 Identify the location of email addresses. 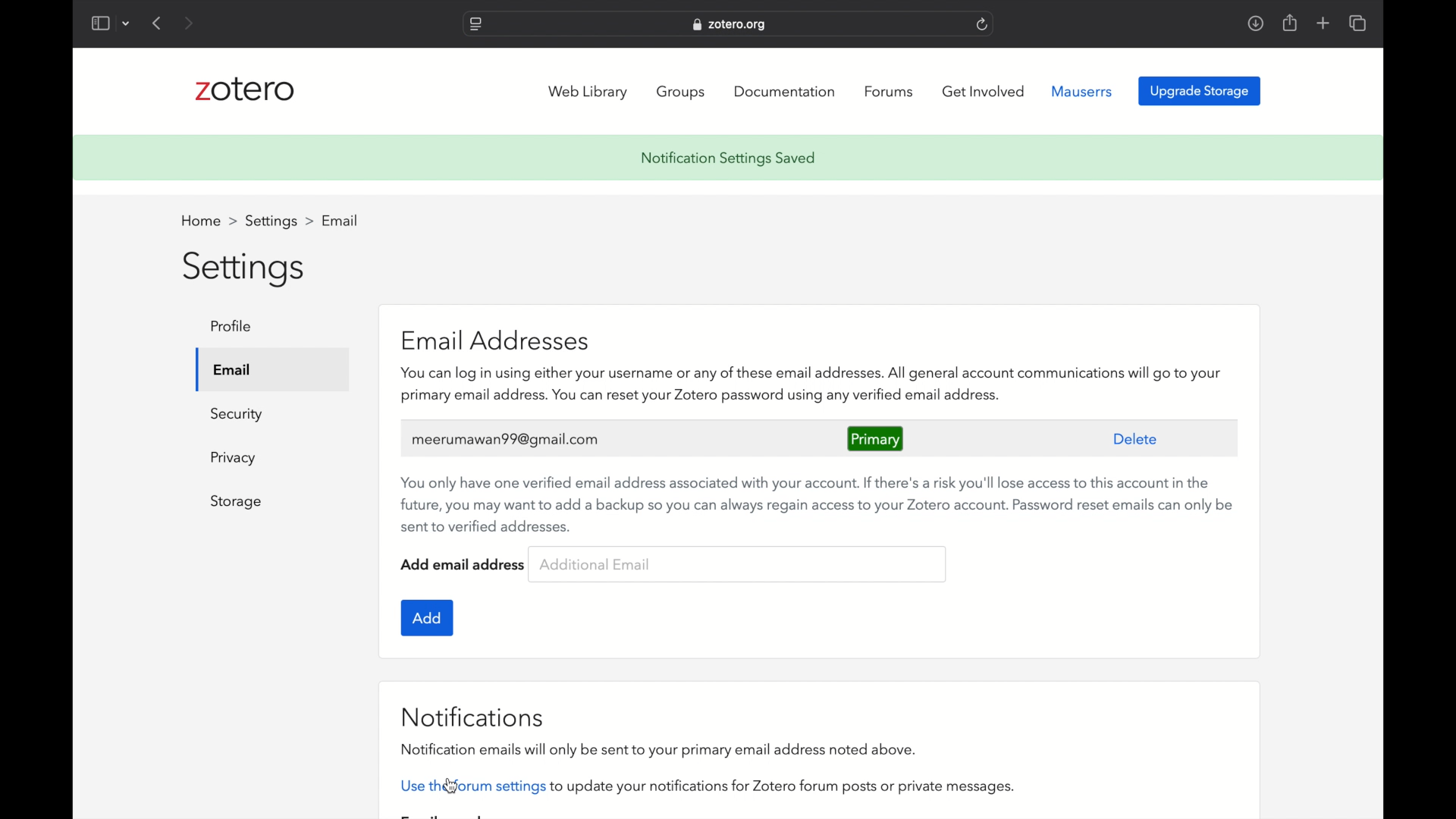
(496, 341).